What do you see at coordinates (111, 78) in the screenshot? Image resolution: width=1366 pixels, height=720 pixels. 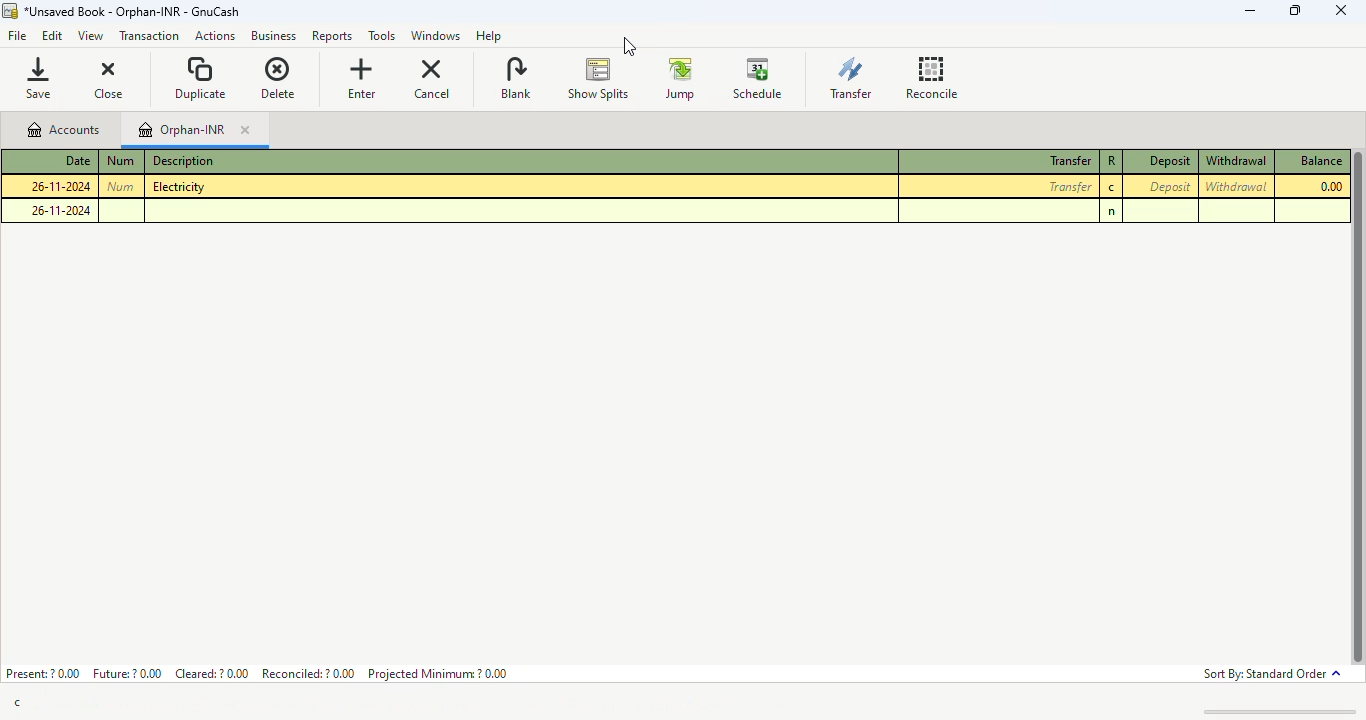 I see `close` at bounding box center [111, 78].